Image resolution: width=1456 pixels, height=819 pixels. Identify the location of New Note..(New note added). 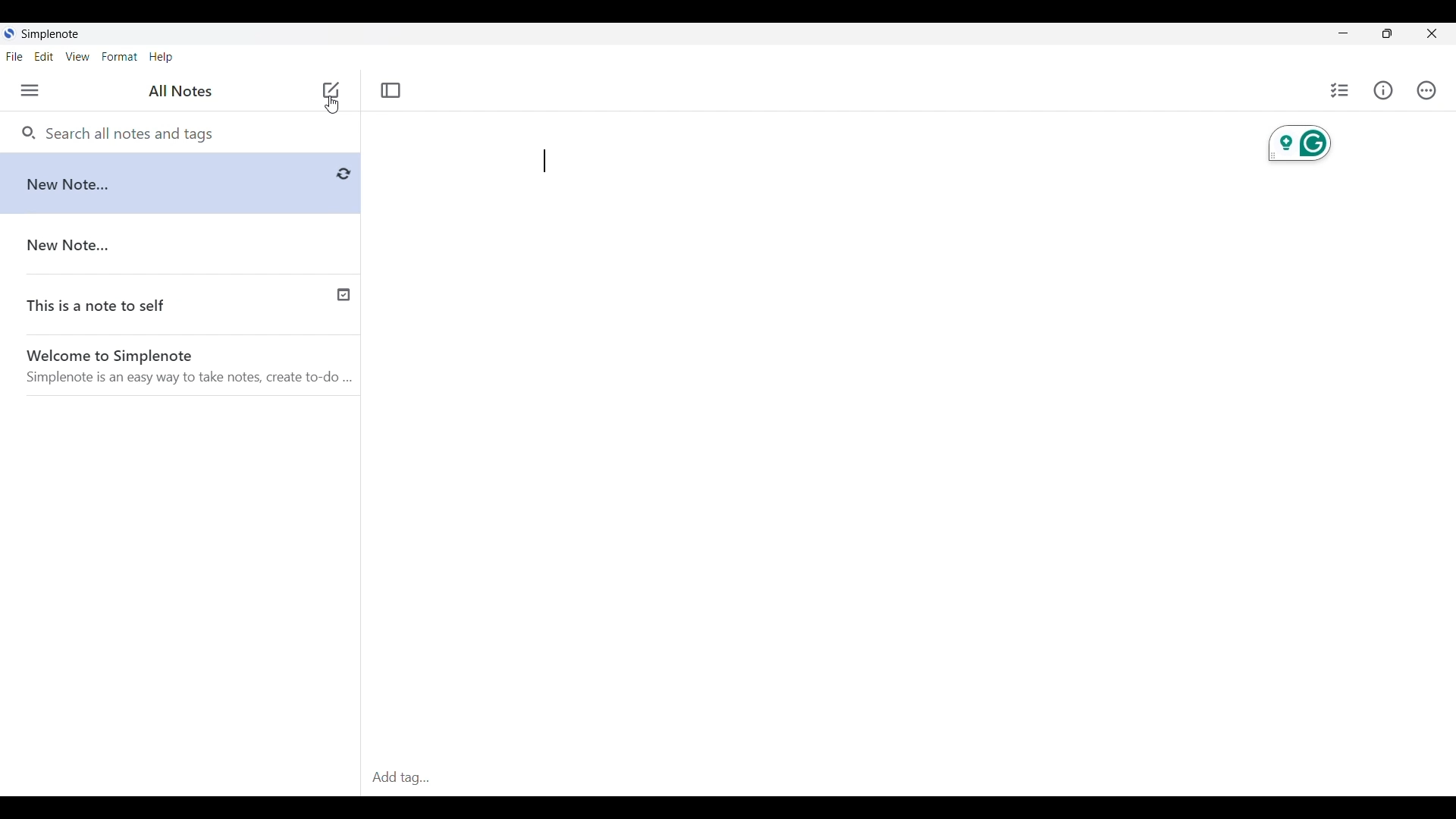
(166, 183).